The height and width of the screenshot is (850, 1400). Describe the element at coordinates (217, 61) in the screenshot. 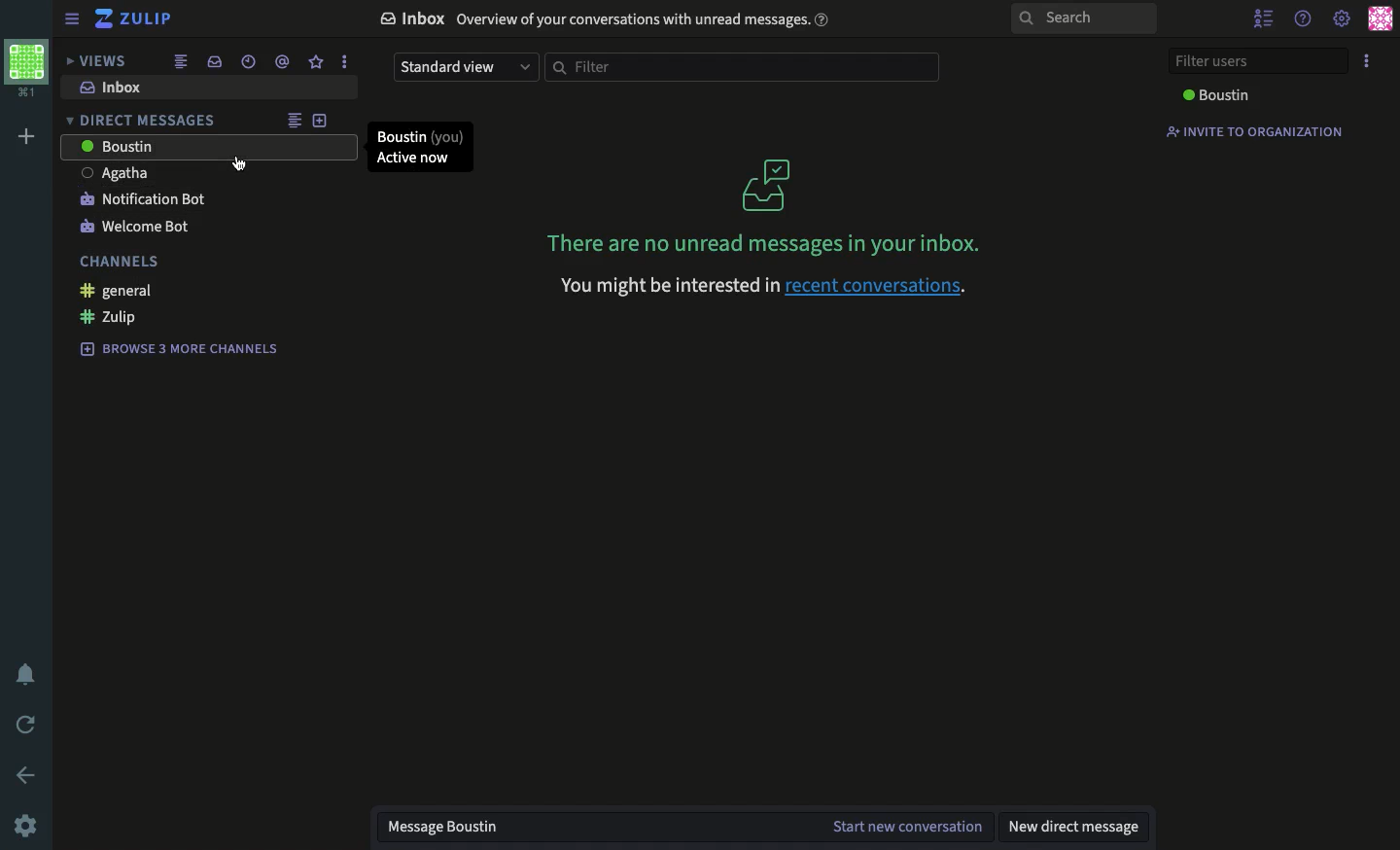

I see `inbox` at that location.